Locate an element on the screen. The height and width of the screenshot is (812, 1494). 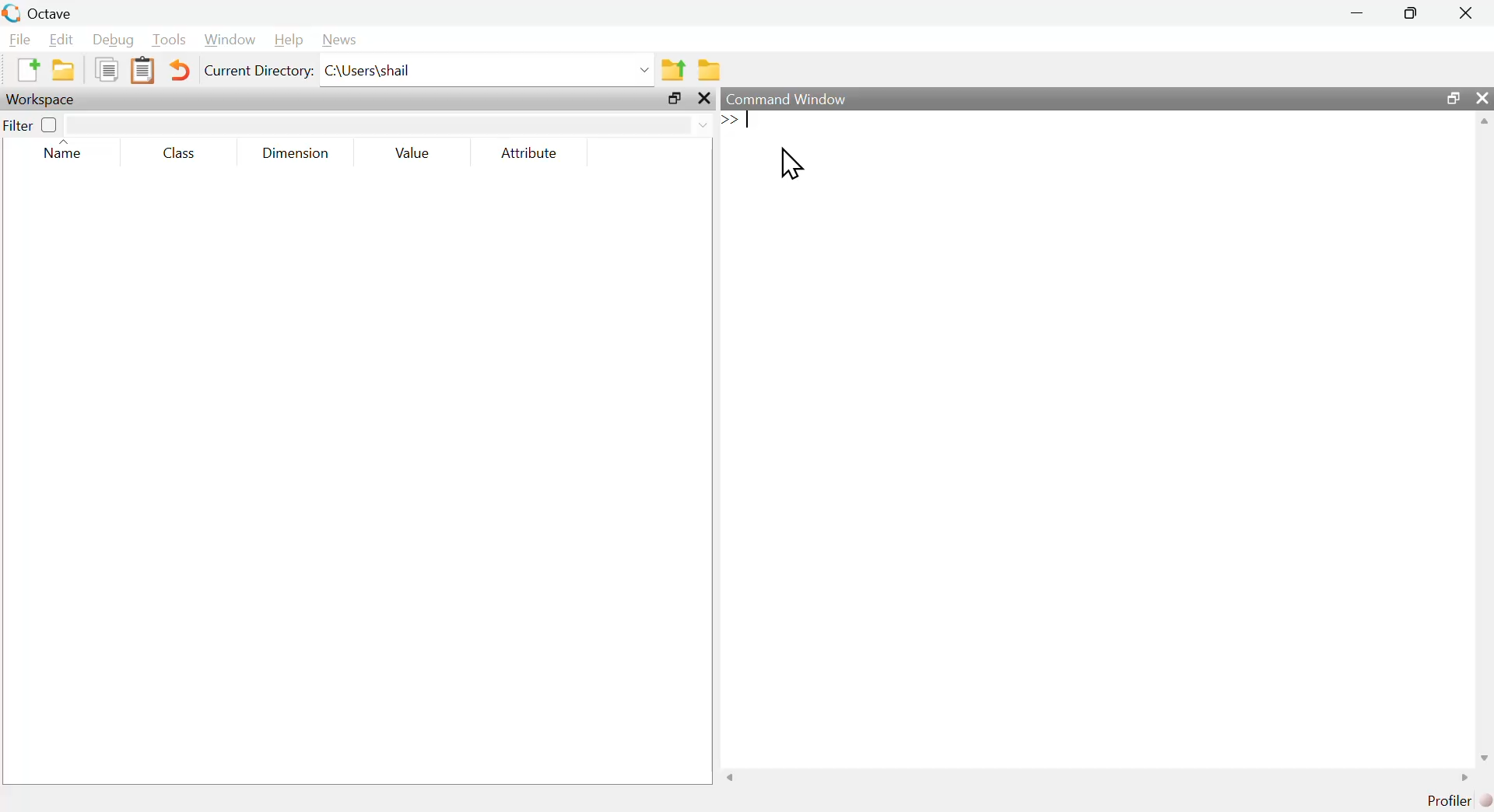
Filter is located at coordinates (21, 128).